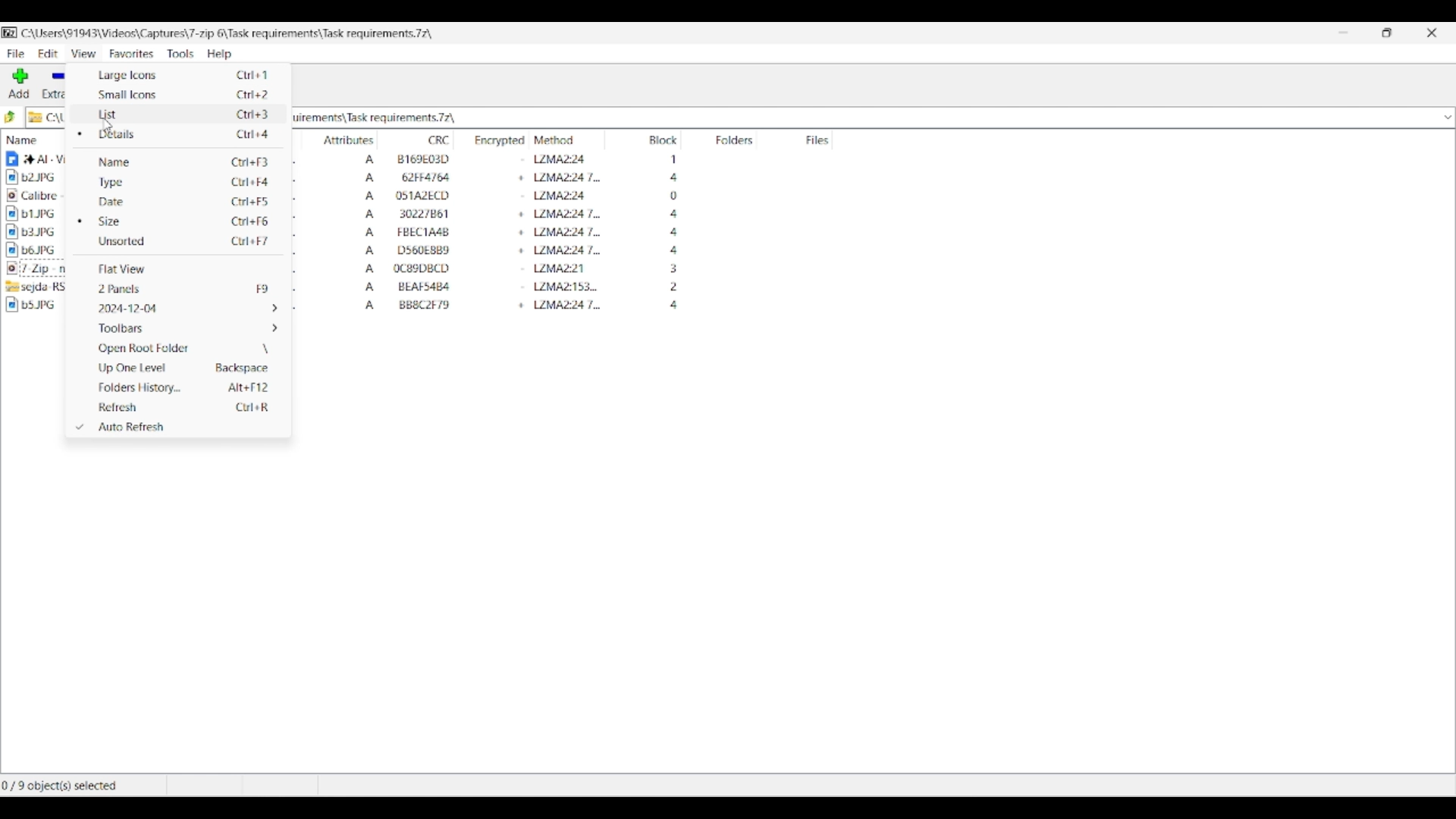 This screenshot has height=819, width=1456. I want to click on Refresh, so click(181, 407).